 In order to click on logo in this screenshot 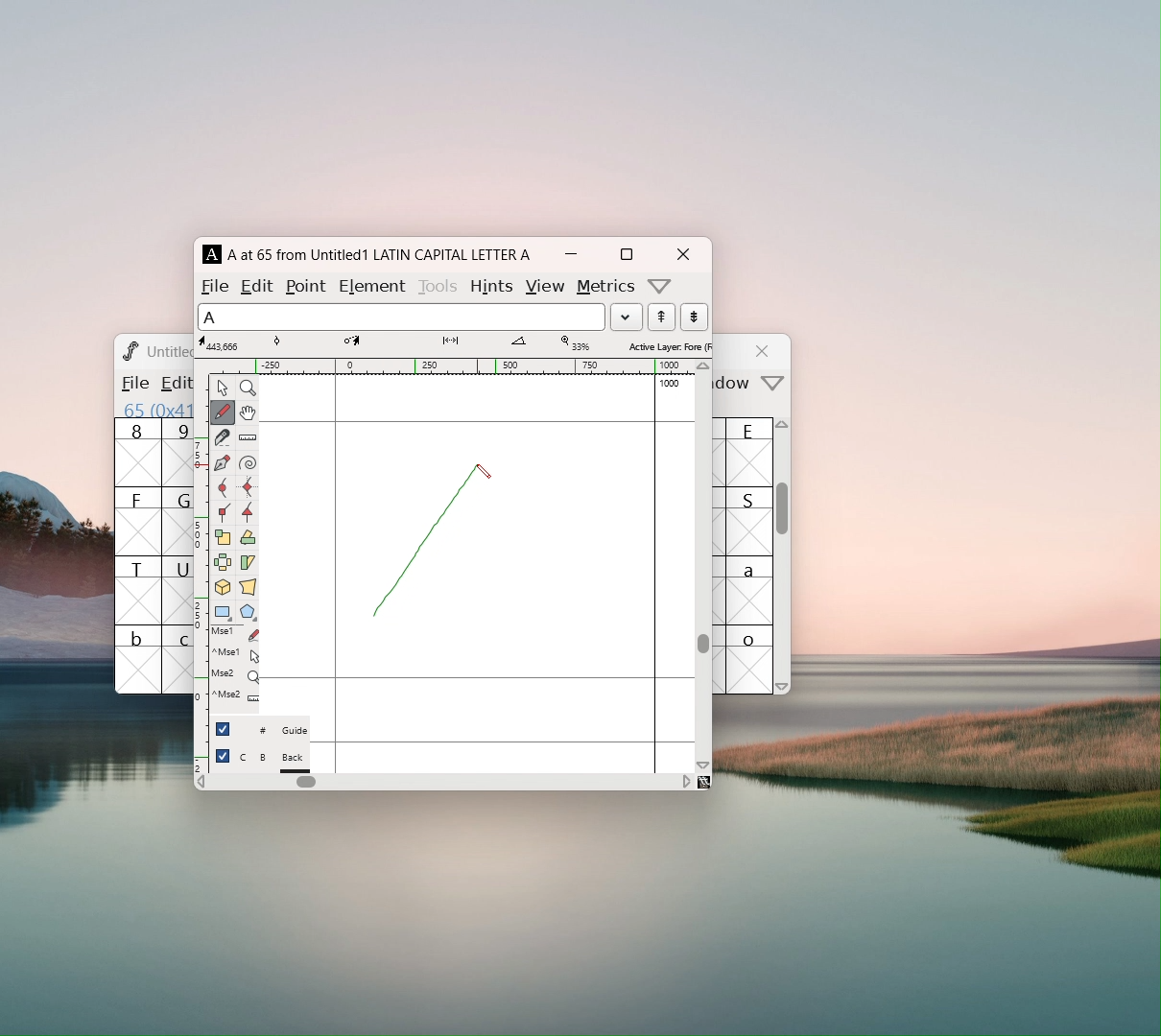, I will do `click(129, 350)`.